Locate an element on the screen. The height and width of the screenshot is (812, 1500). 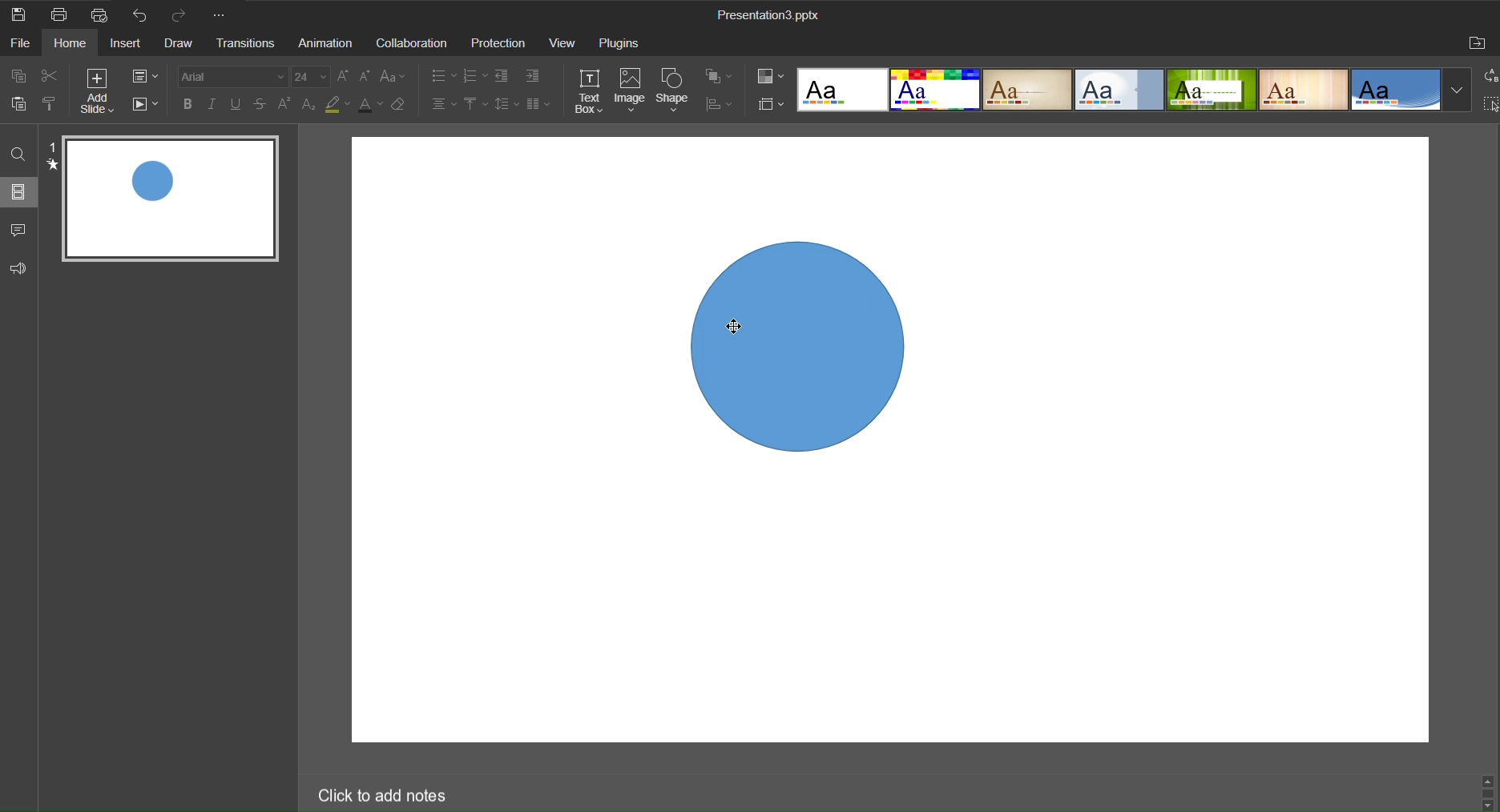
Home is located at coordinates (75, 44).